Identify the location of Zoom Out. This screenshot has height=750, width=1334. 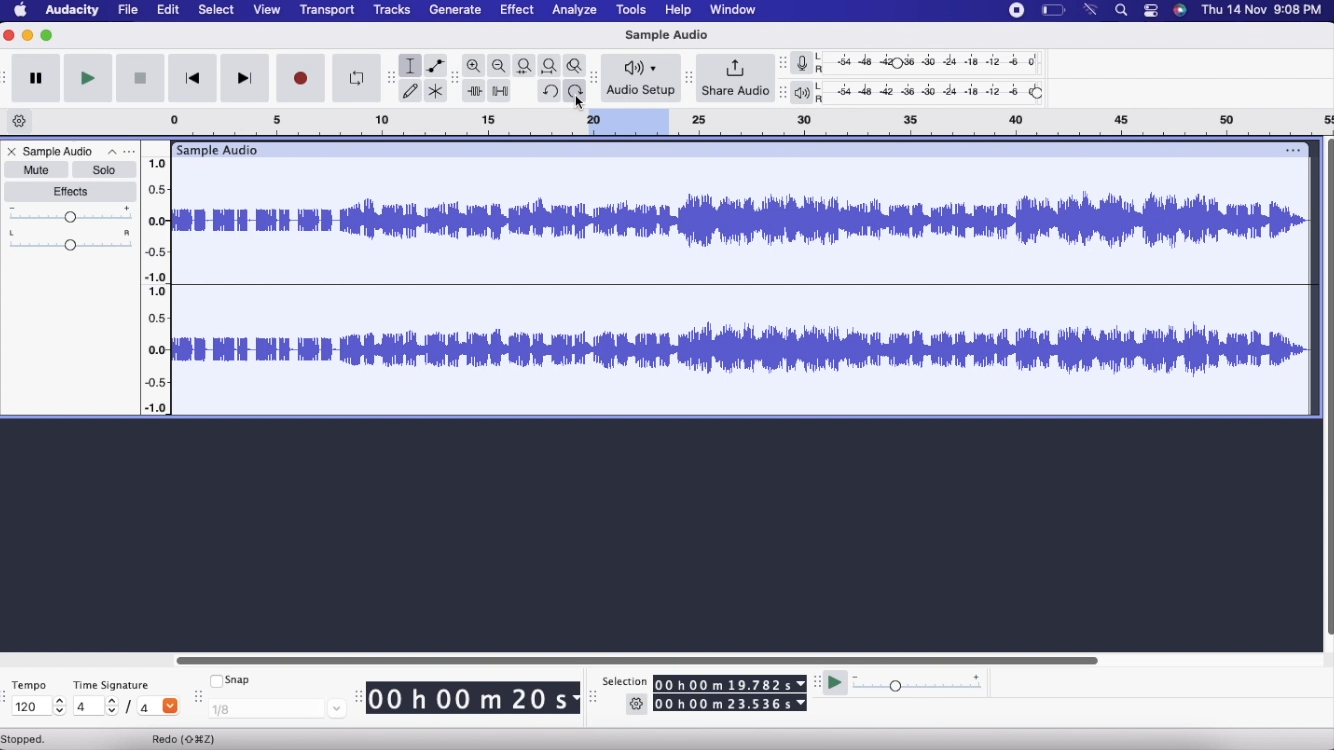
(499, 65).